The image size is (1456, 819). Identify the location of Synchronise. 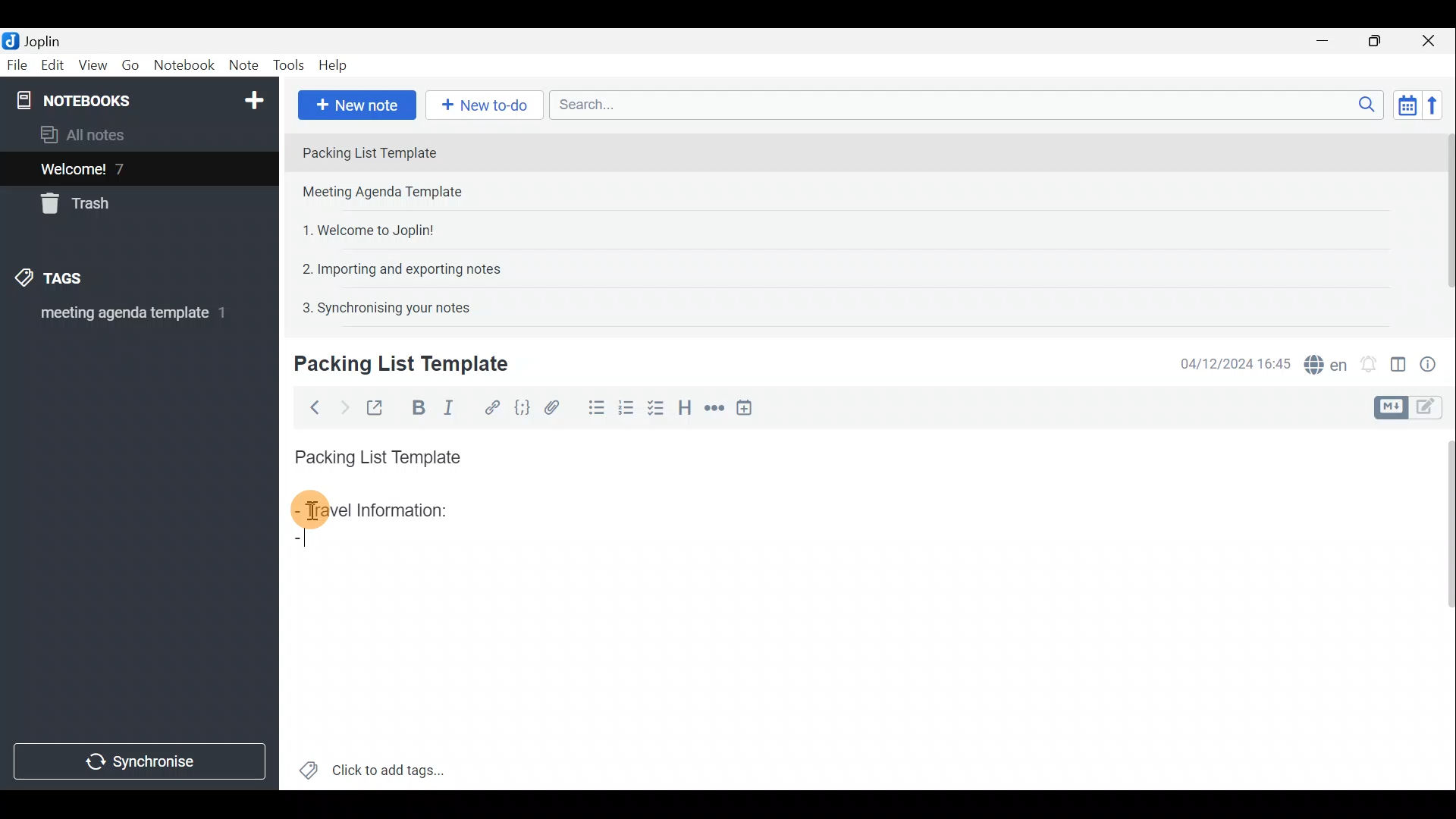
(142, 764).